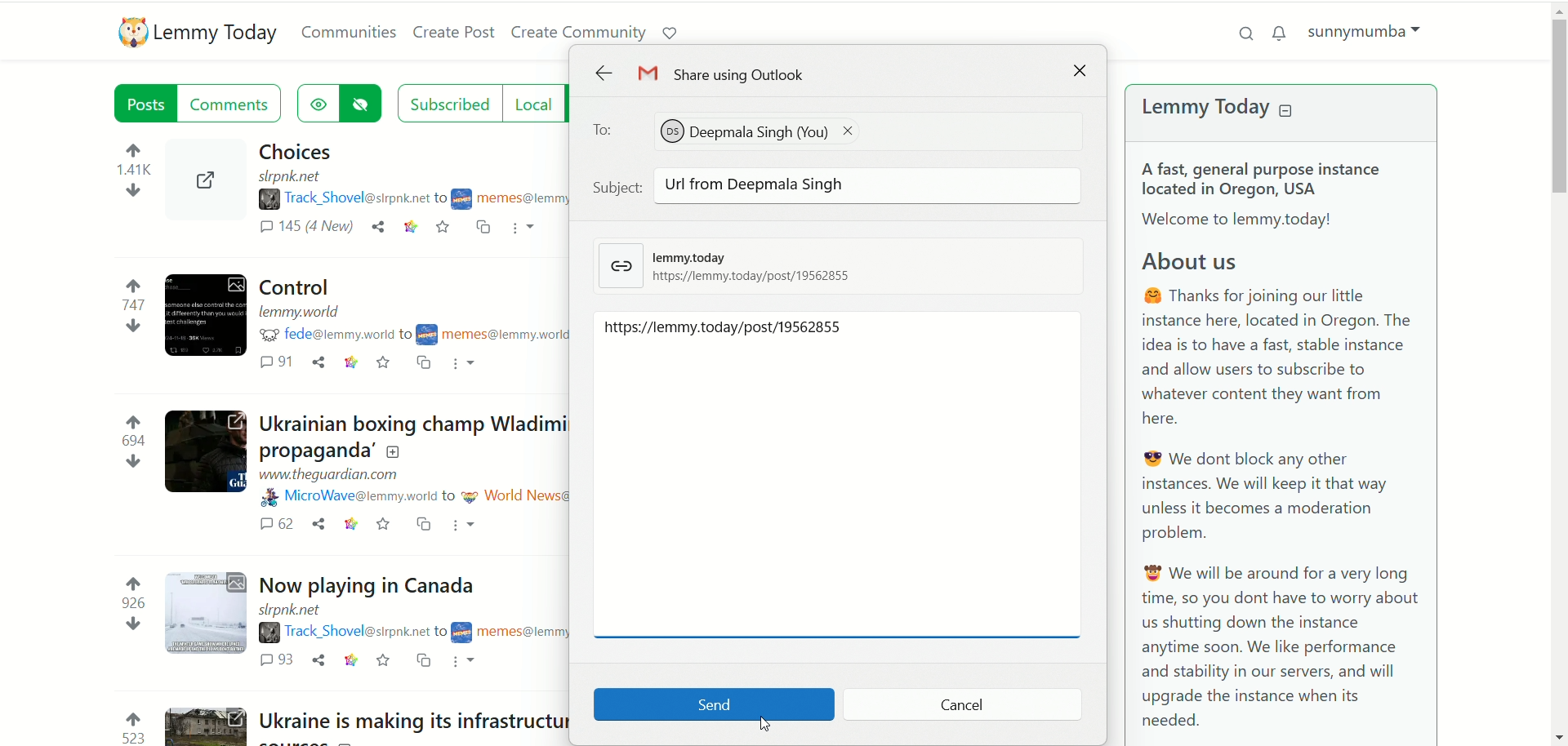 The width and height of the screenshot is (1568, 746). Describe the element at coordinates (1290, 444) in the screenshot. I see `A brief text about Lemmy Today` at that location.